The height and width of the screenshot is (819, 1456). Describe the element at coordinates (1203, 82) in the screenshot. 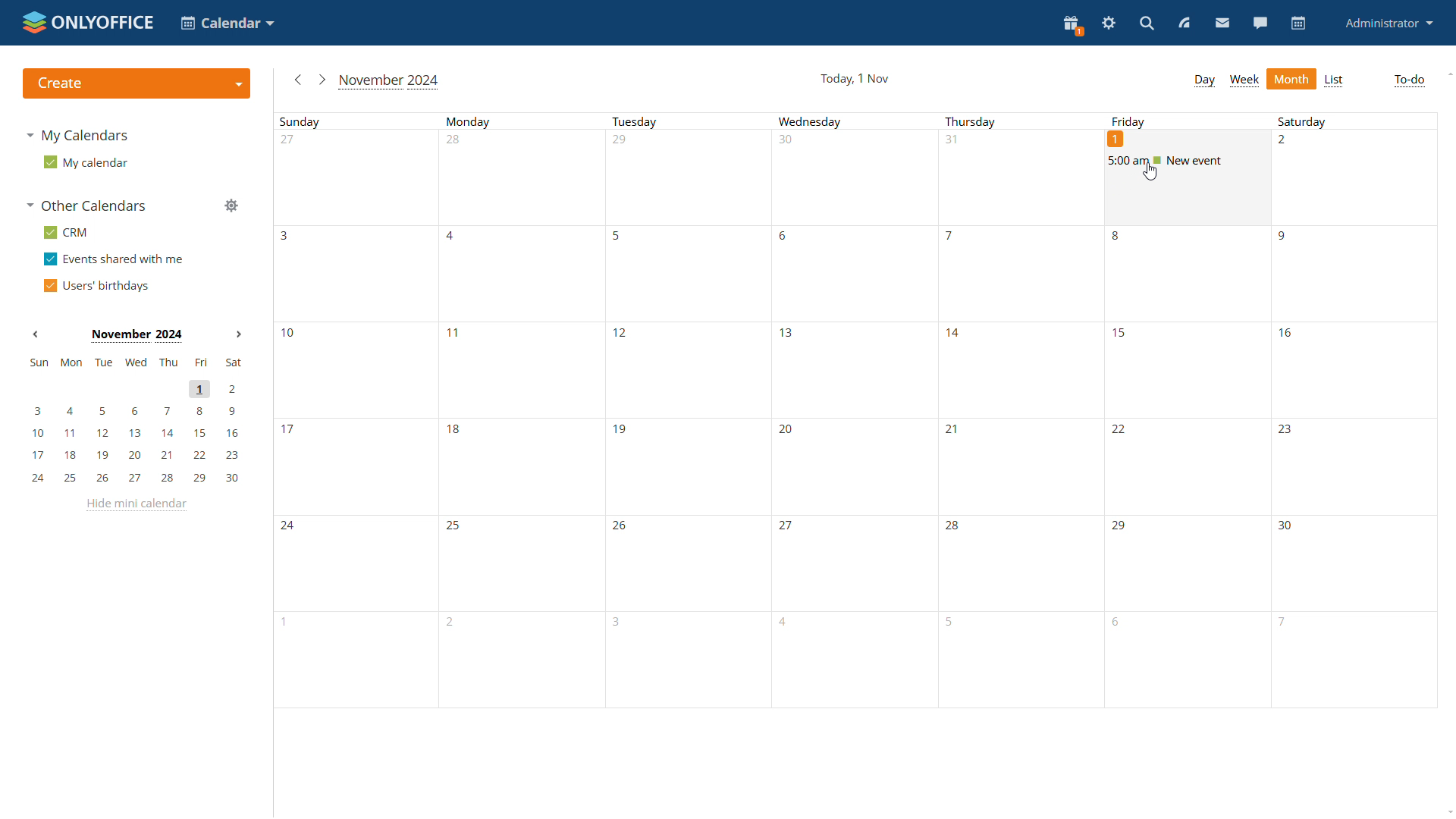

I see `day view` at that location.